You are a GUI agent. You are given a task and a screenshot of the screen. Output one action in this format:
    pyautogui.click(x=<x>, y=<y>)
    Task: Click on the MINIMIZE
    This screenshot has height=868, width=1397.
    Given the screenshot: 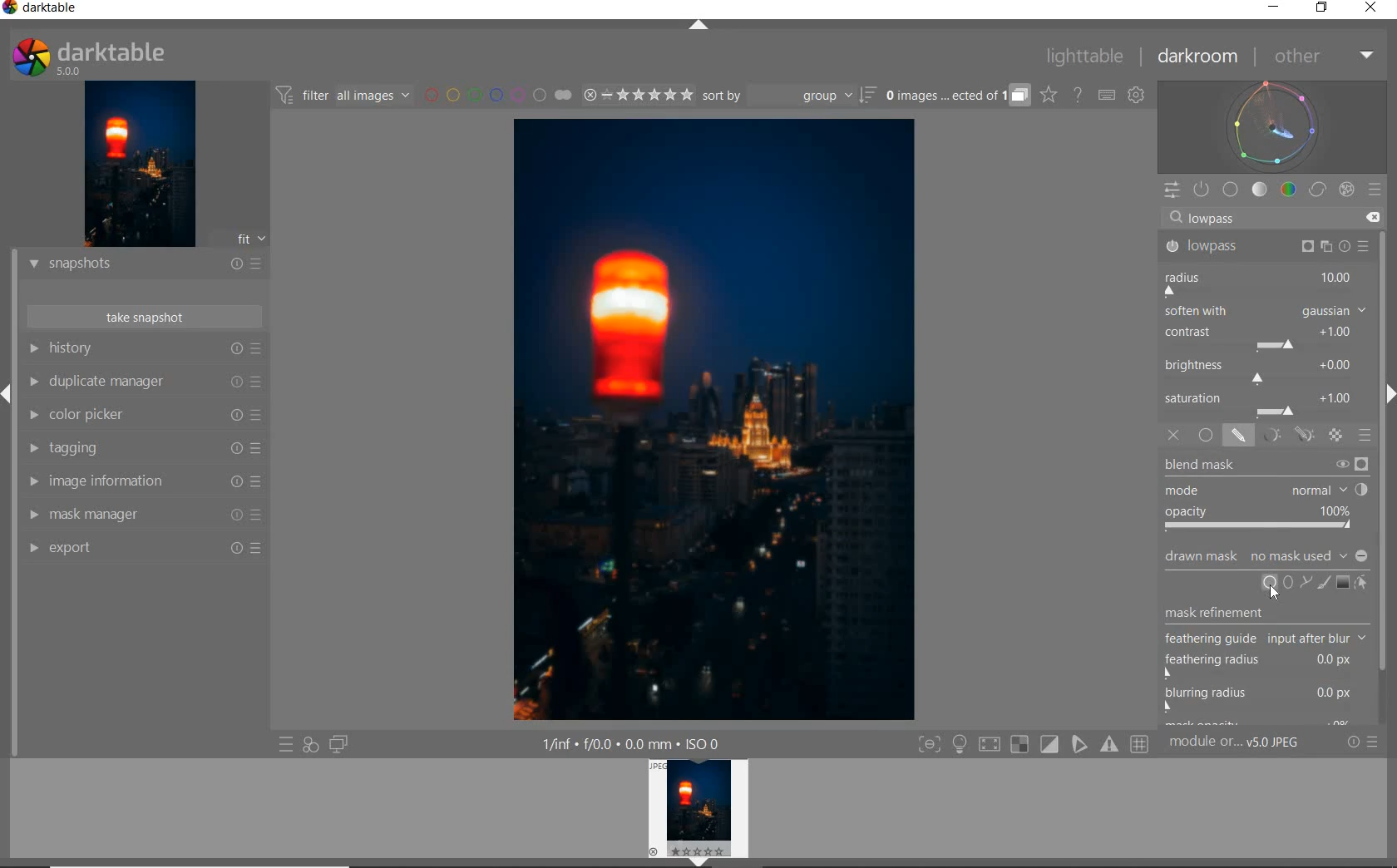 What is the action you would take?
    pyautogui.click(x=1271, y=8)
    